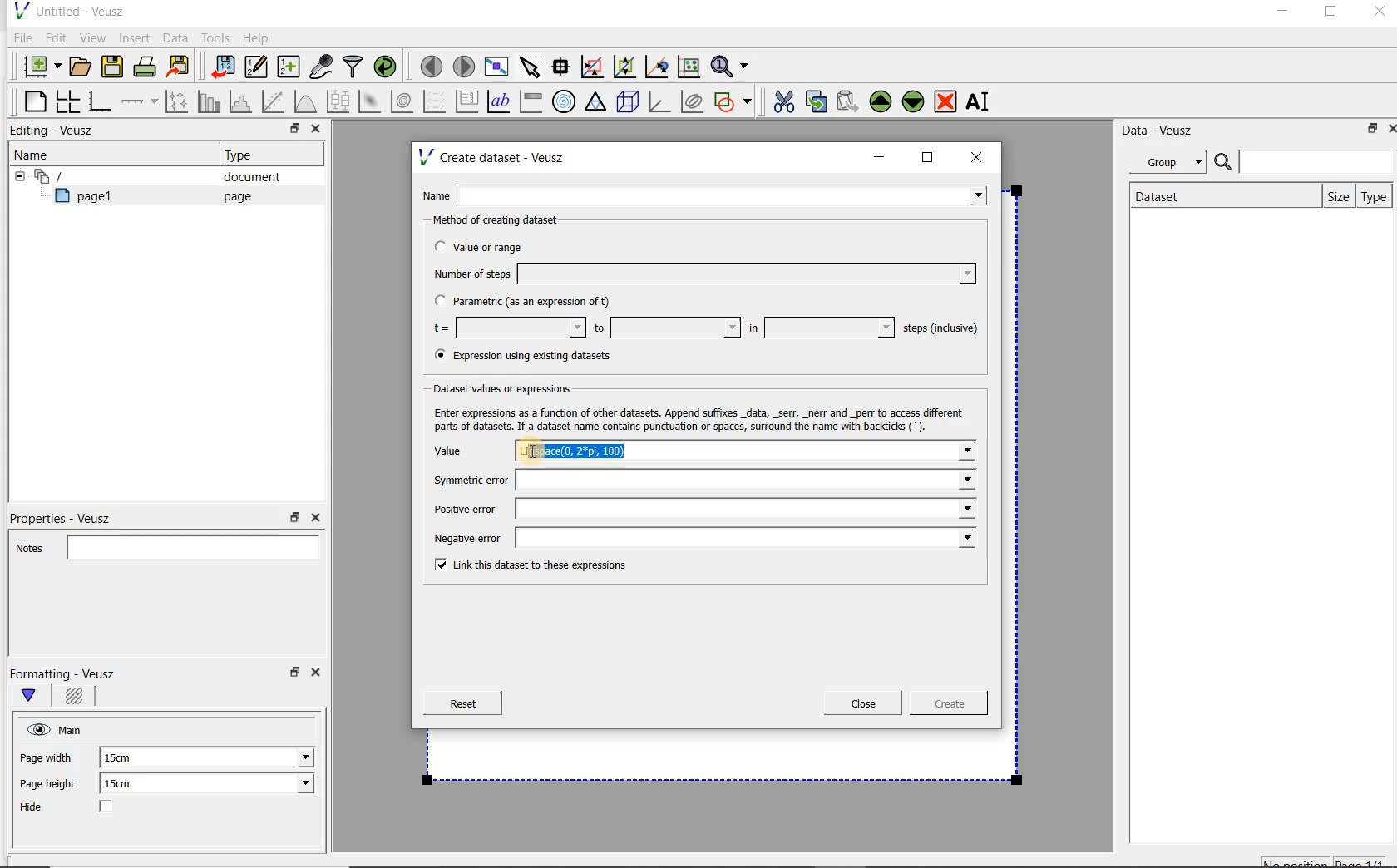 The width and height of the screenshot is (1397, 868). Describe the element at coordinates (67, 101) in the screenshot. I see `arrange graphs in a grid` at that location.